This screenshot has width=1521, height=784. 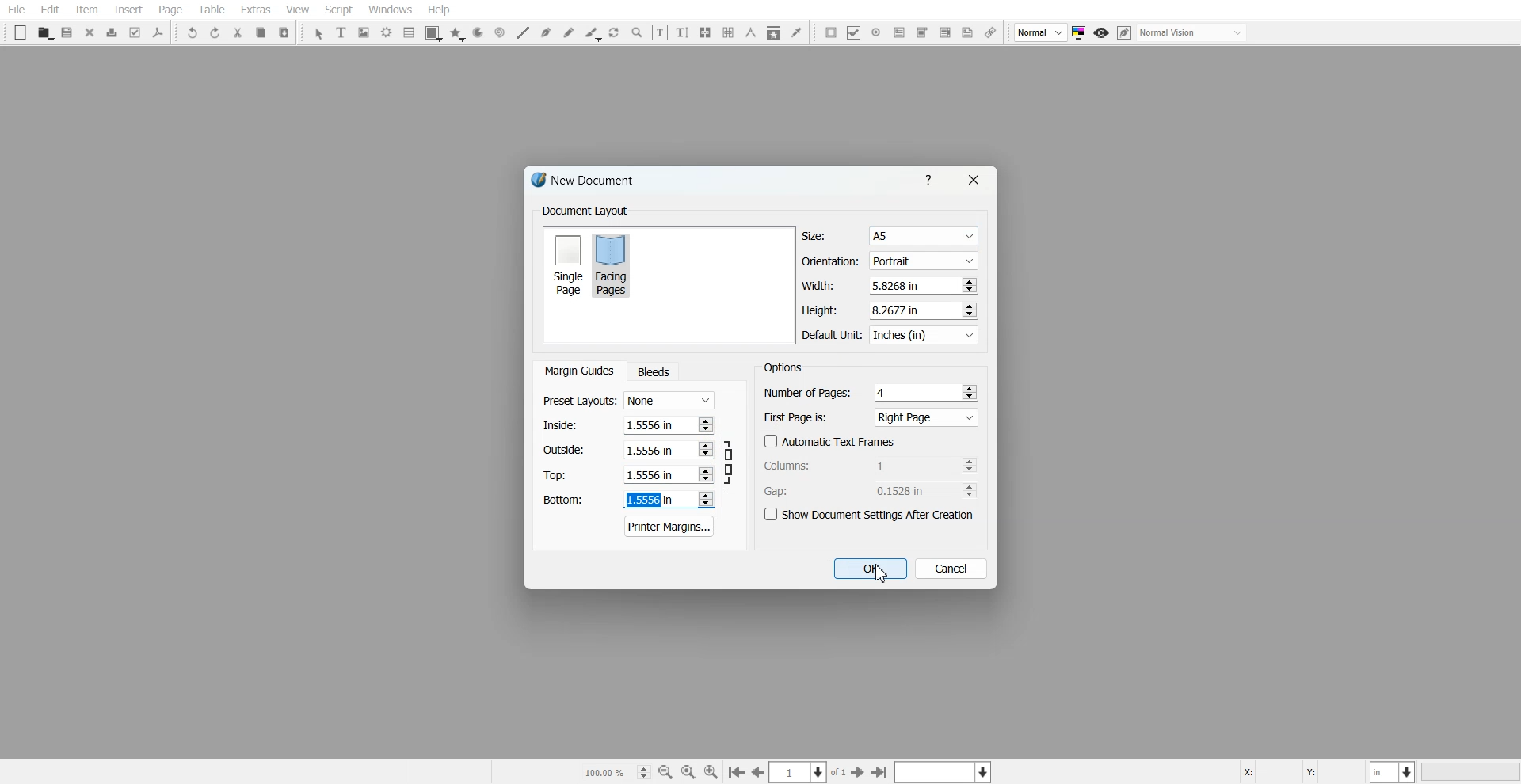 What do you see at coordinates (876, 32) in the screenshot?
I see `PDF Radio Button` at bounding box center [876, 32].